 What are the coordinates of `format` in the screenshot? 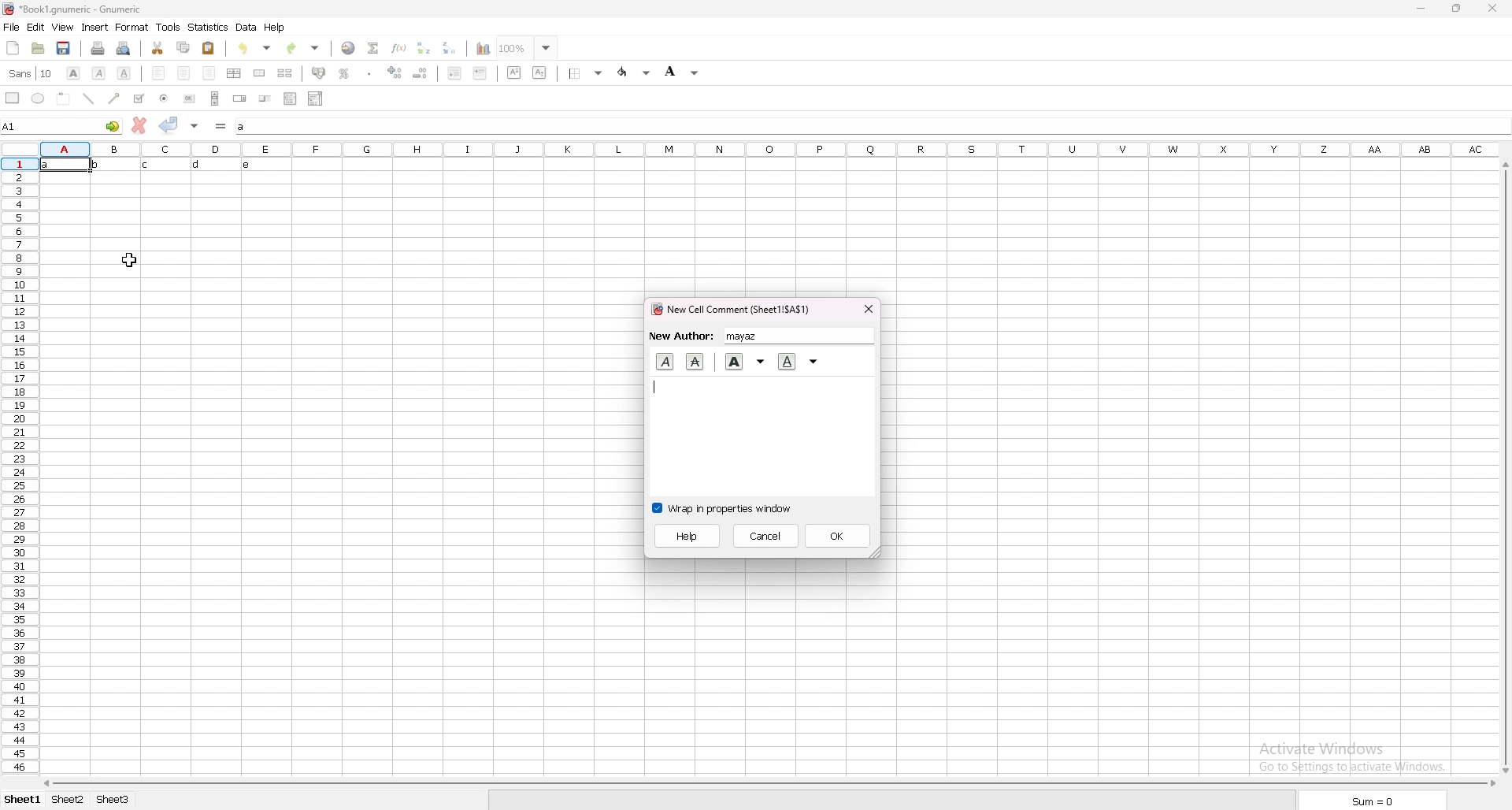 It's located at (132, 27).